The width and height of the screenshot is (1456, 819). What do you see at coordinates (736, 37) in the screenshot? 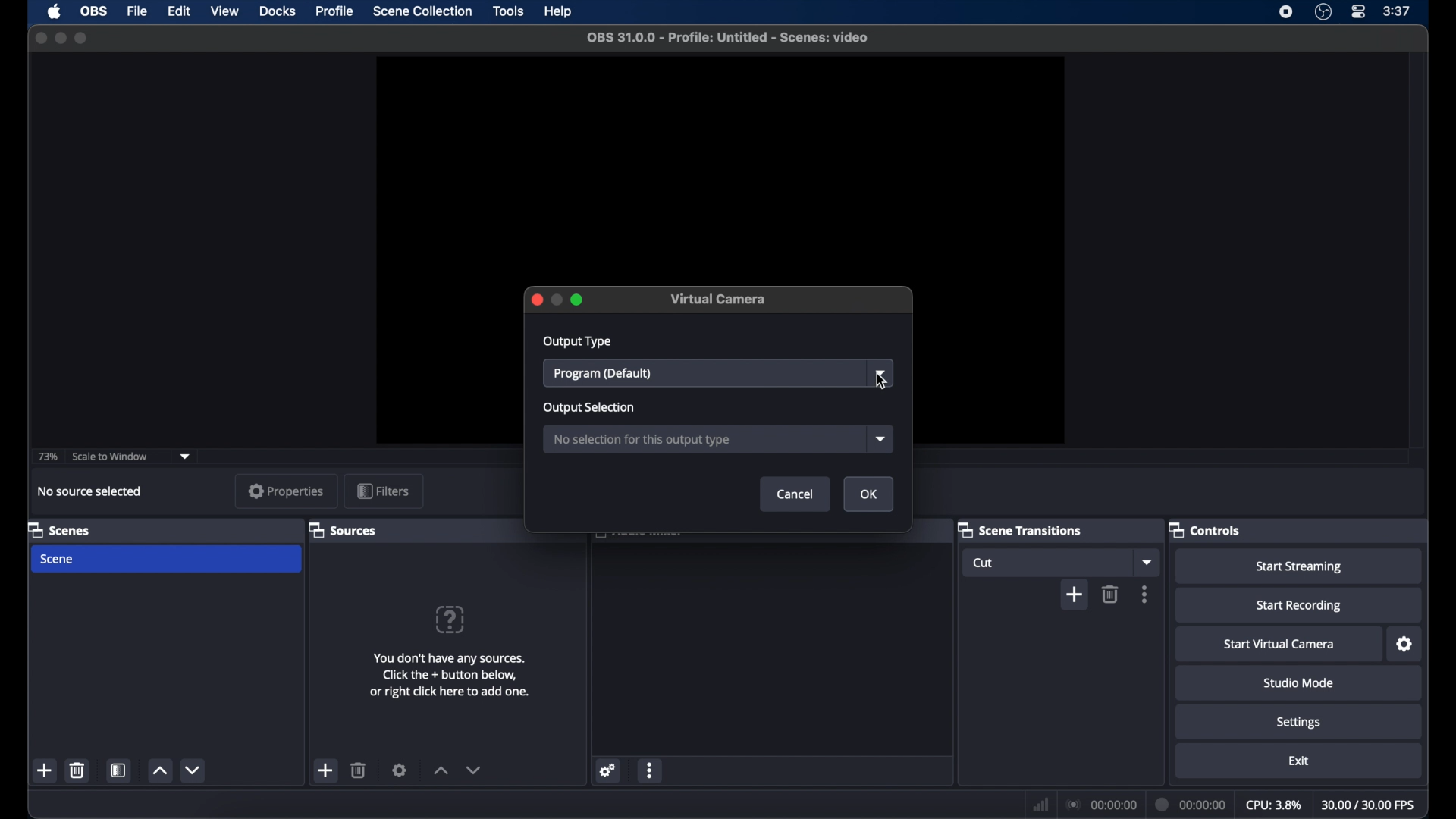
I see `DBS 31.0.0 - Profile: Untitled - Scenes: video` at bounding box center [736, 37].